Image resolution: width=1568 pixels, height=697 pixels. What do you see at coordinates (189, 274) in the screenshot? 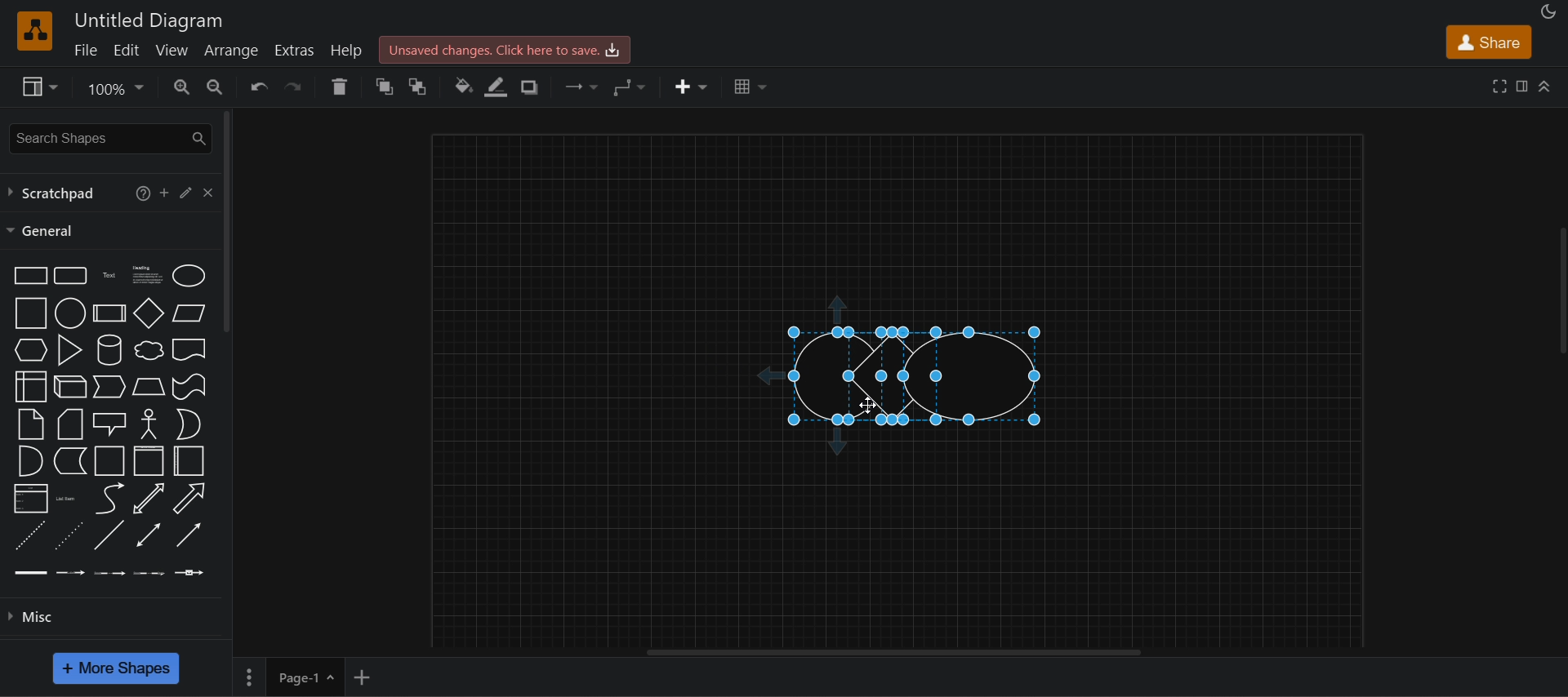
I see `ellipse` at bounding box center [189, 274].